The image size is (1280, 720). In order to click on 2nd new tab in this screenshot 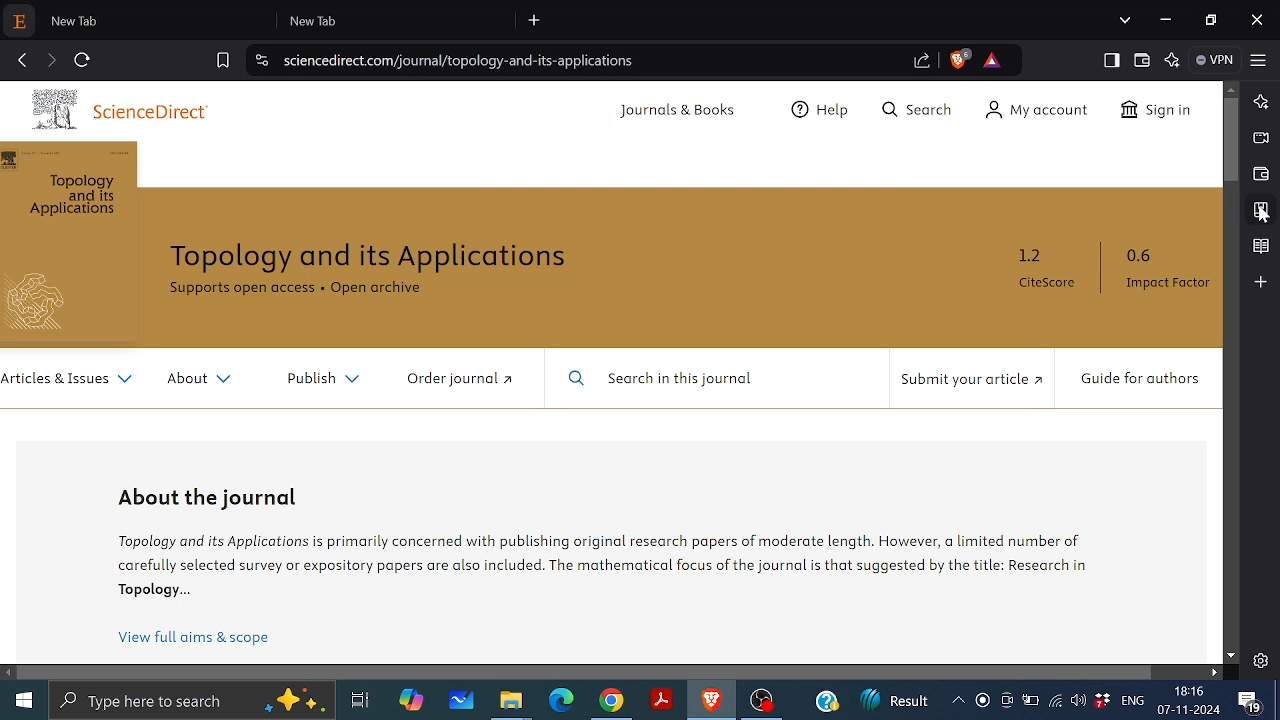, I will do `click(401, 20)`.